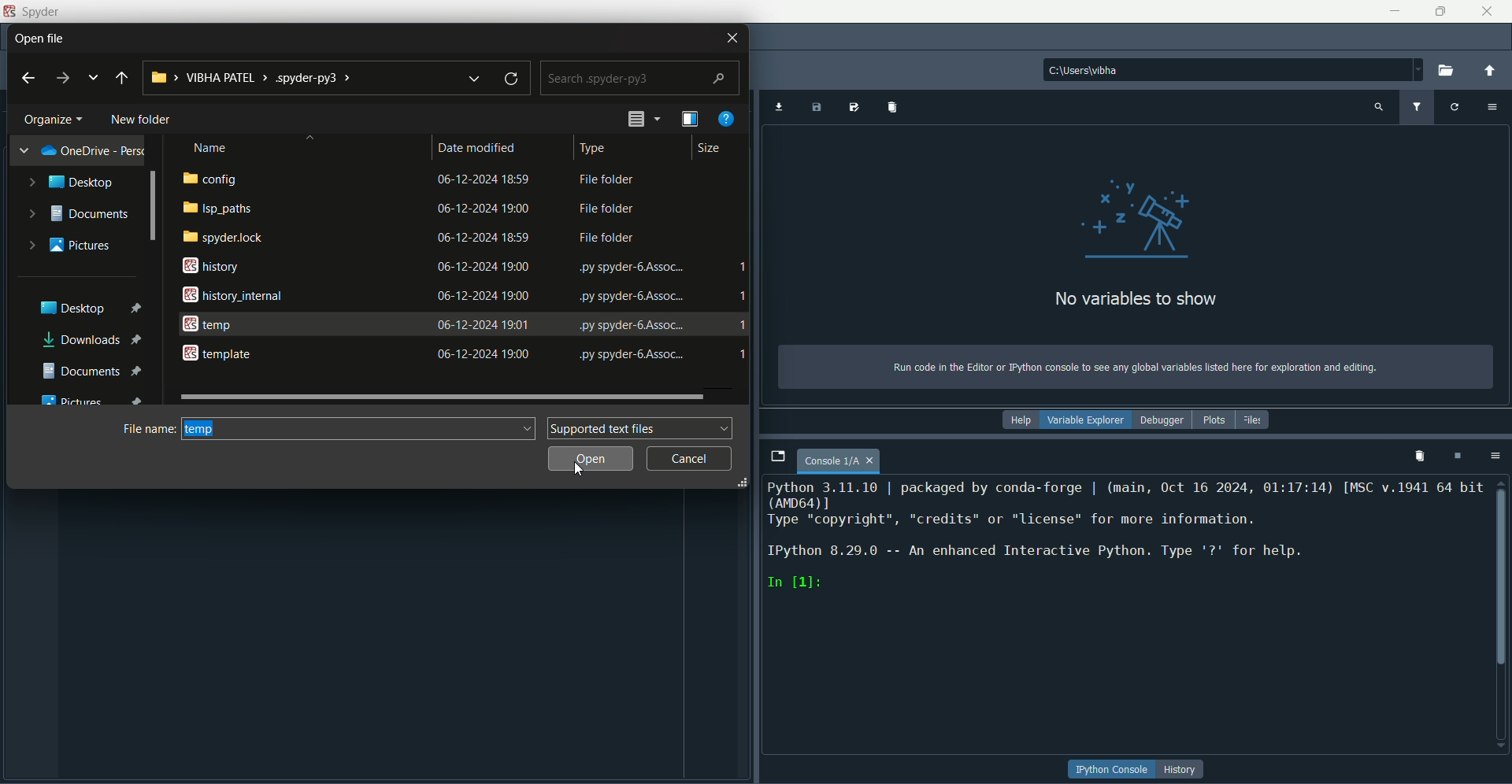 The image size is (1512, 784). Describe the element at coordinates (153, 209) in the screenshot. I see `Scrollbar` at that location.